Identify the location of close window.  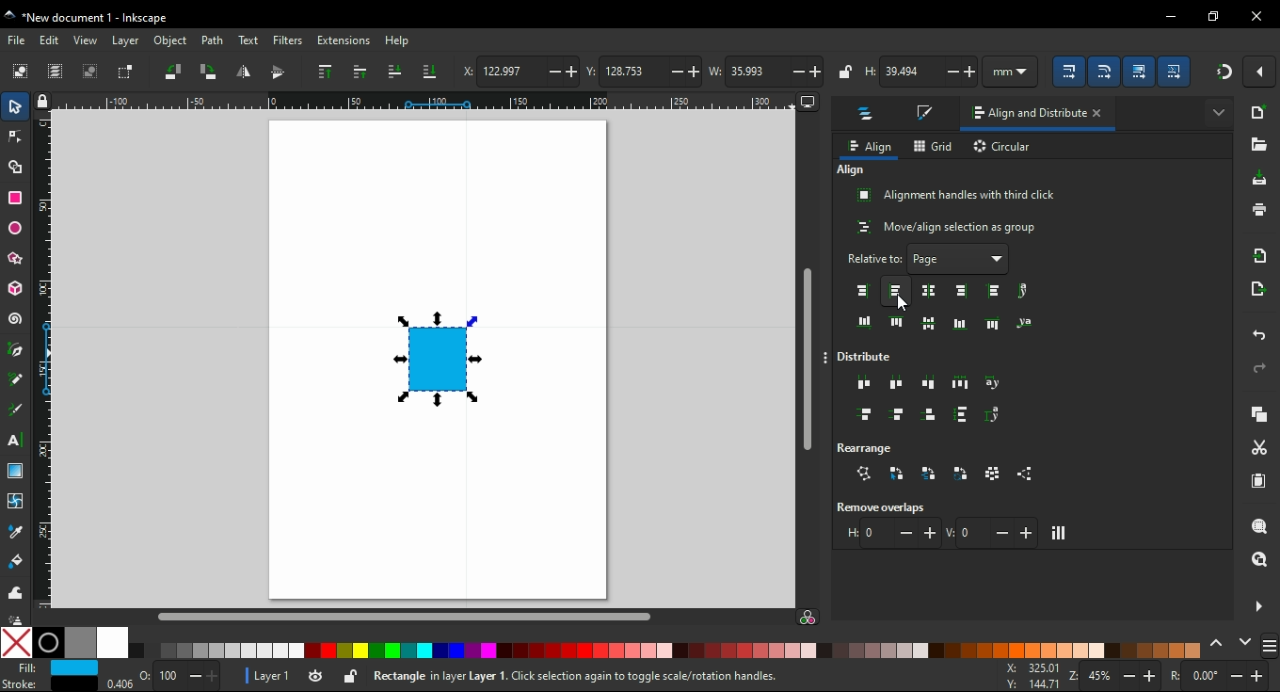
(1254, 16).